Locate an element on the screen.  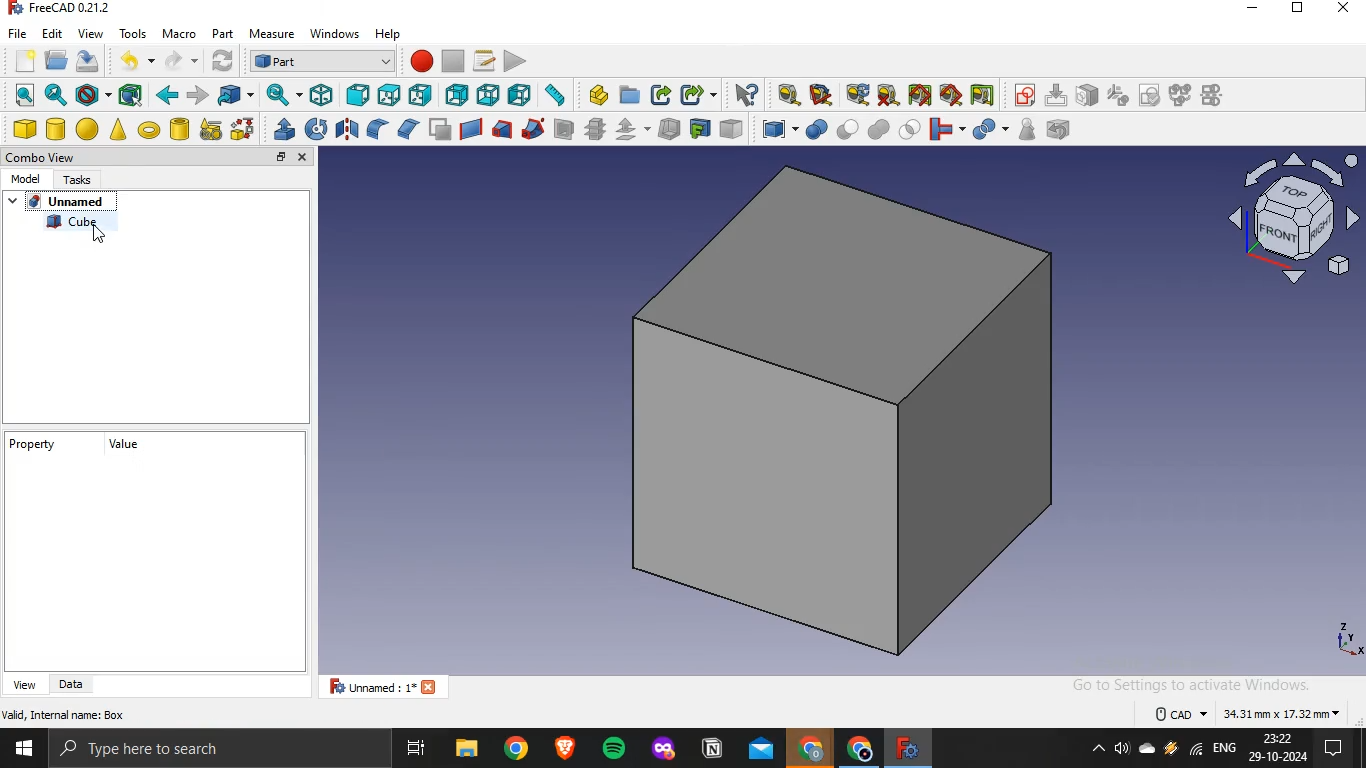
spotify is located at coordinates (616, 750).